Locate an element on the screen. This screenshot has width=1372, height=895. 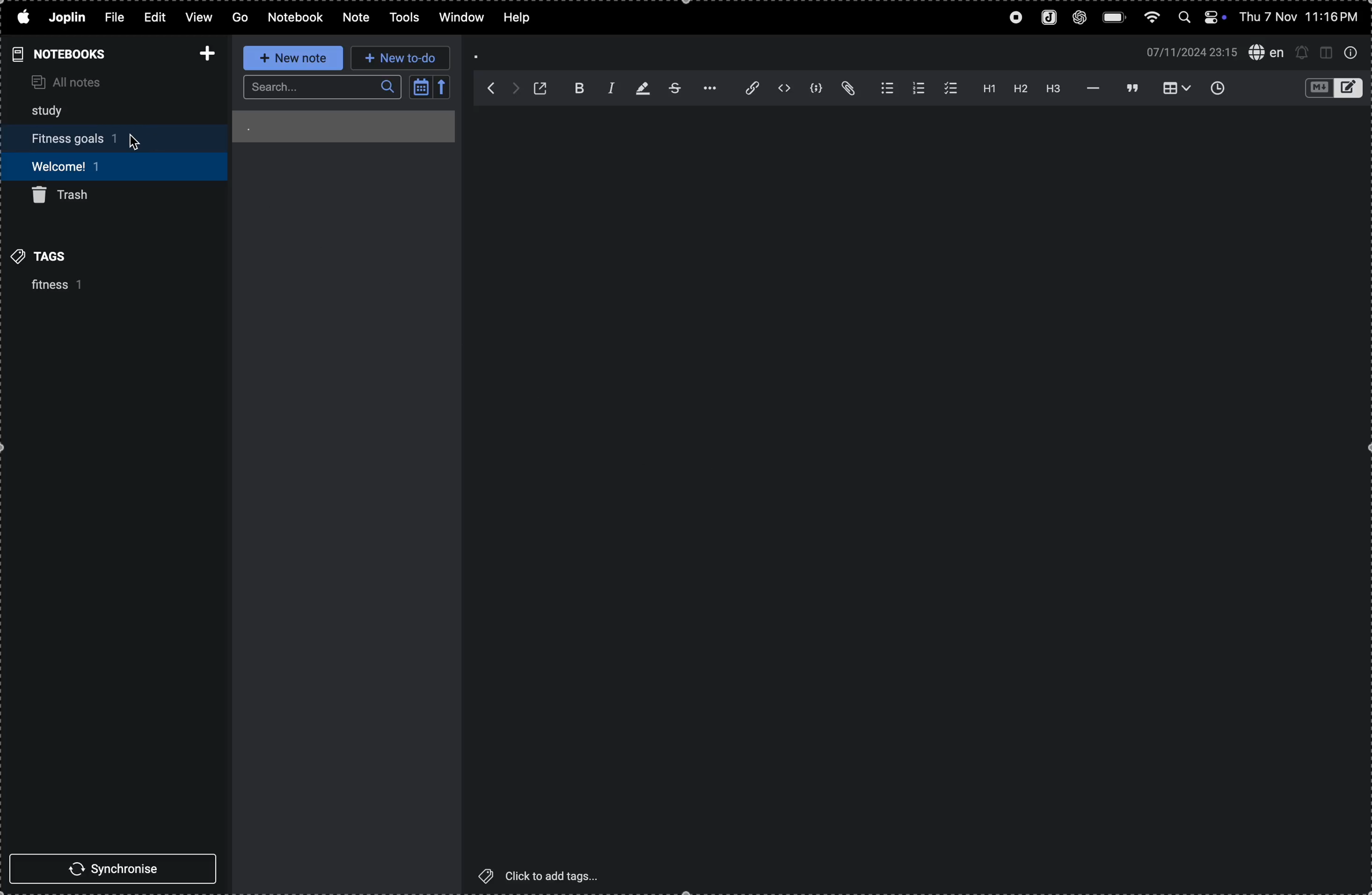
wifi is located at coordinates (1152, 17).